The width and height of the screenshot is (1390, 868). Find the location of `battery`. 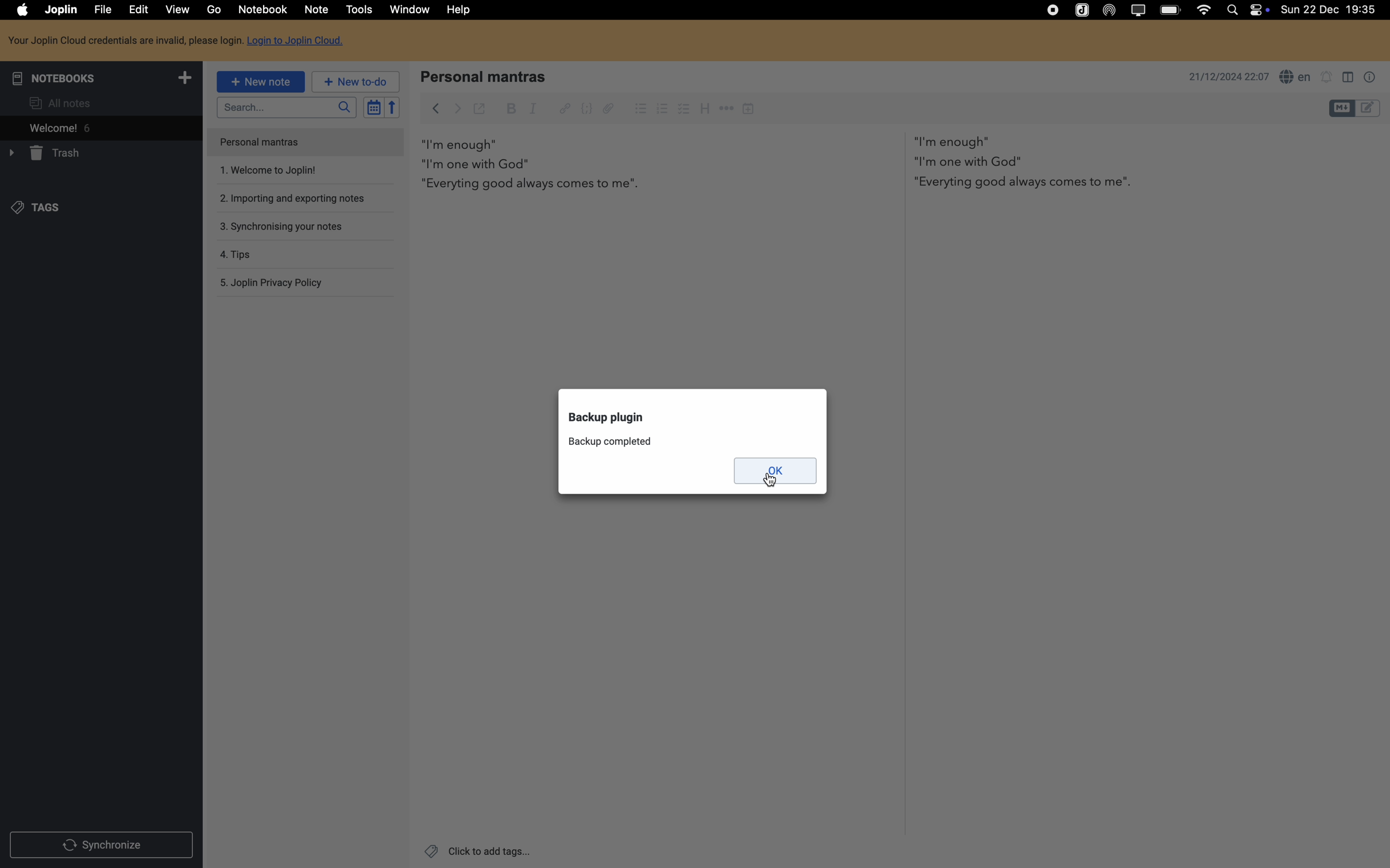

battery is located at coordinates (1169, 10).